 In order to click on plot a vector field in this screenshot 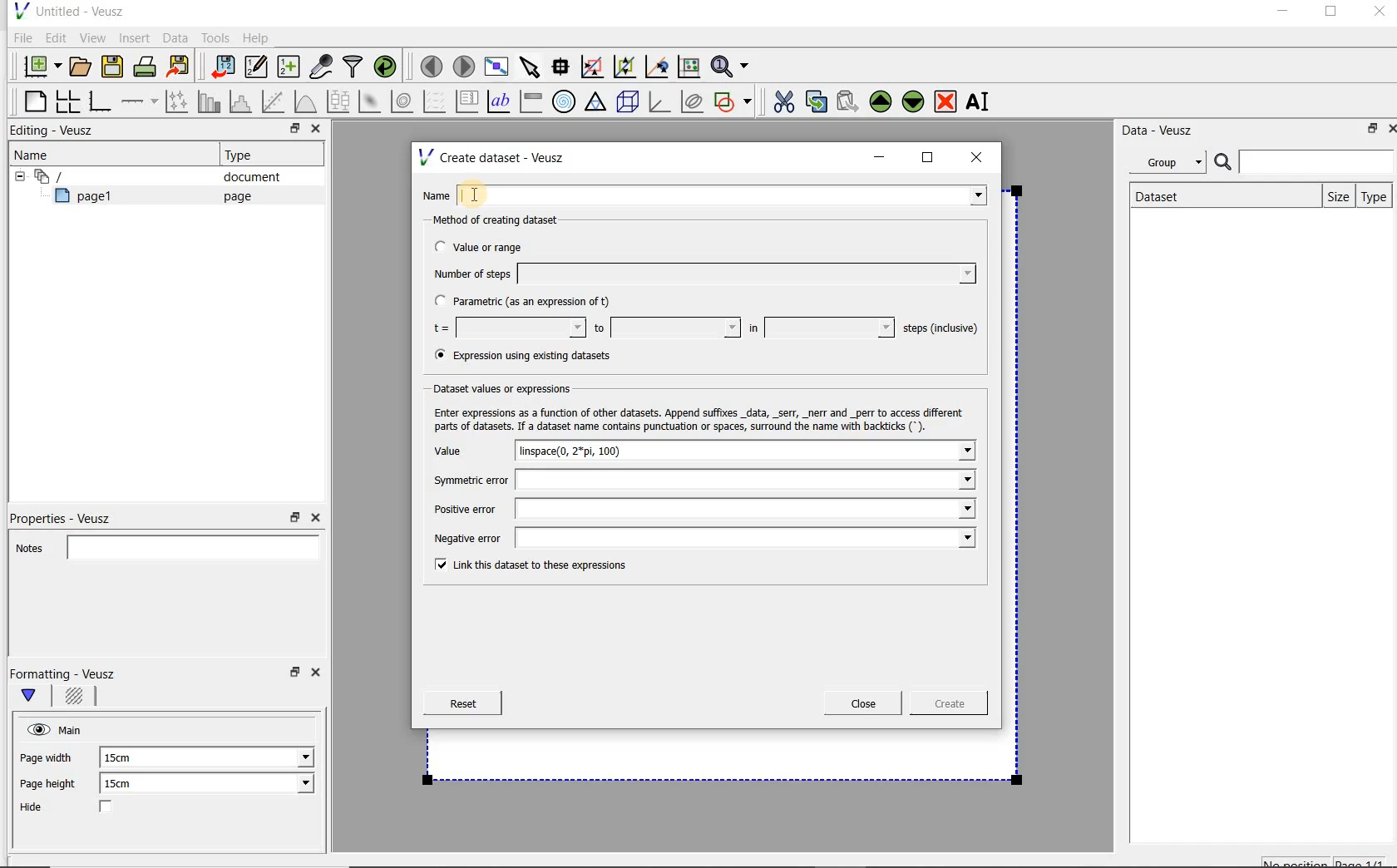, I will do `click(435, 100)`.